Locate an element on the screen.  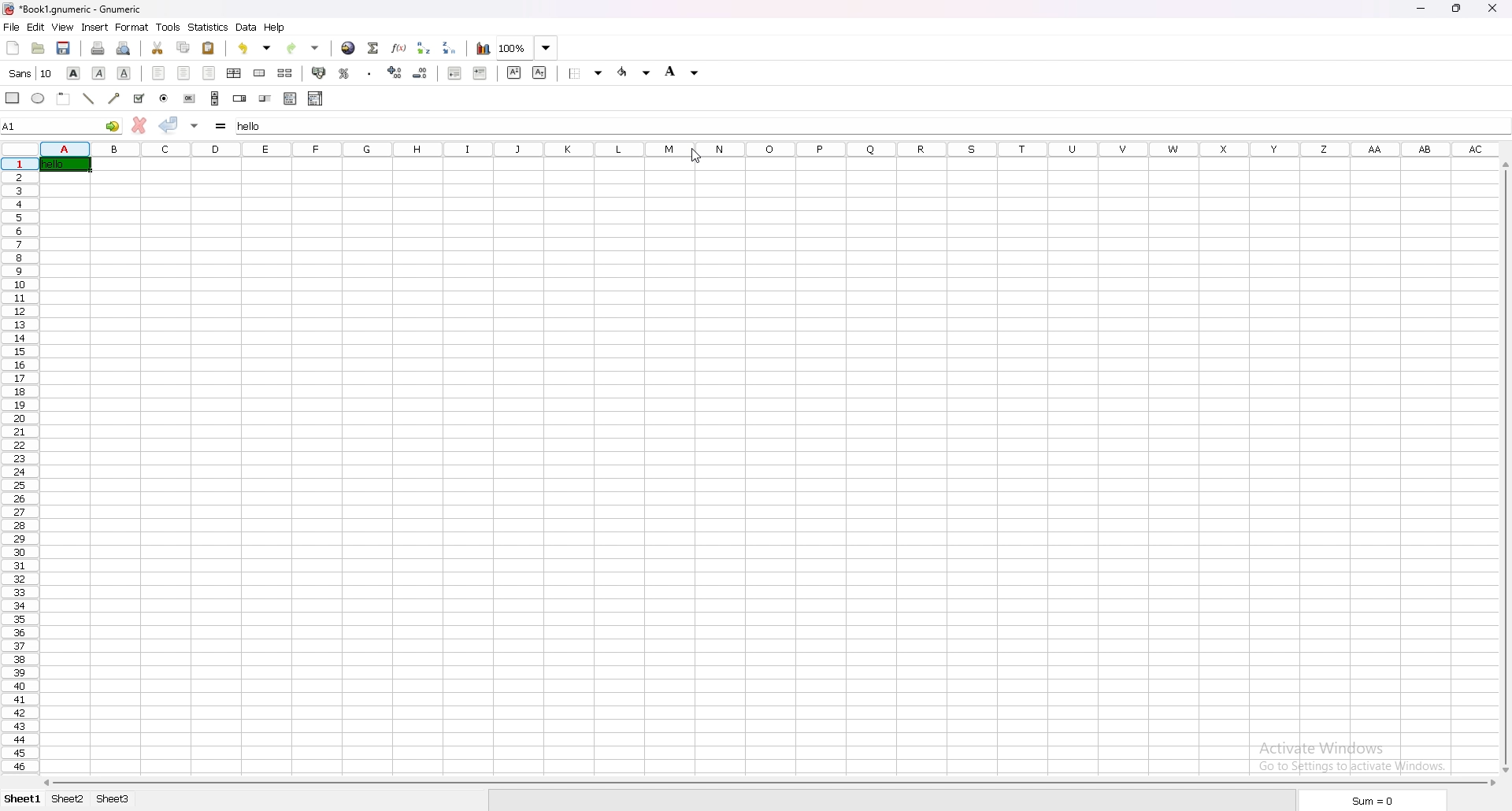
cut is located at coordinates (157, 49).